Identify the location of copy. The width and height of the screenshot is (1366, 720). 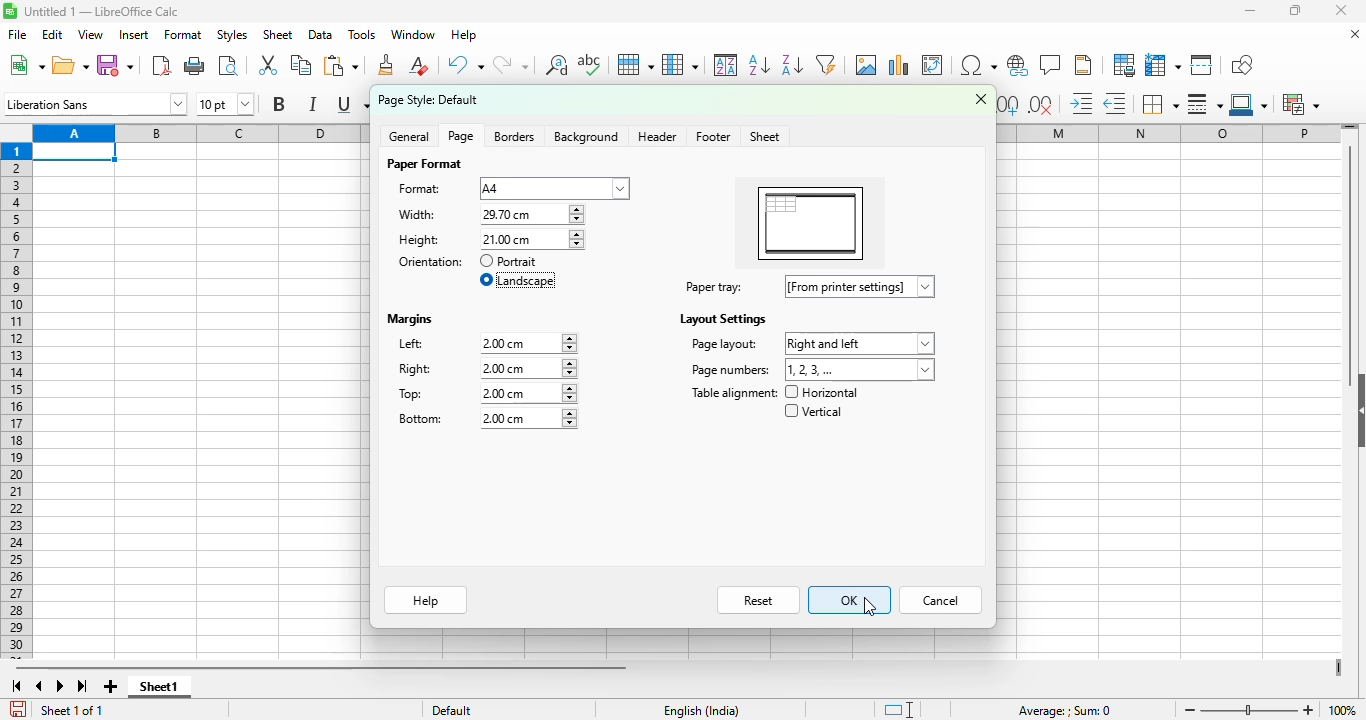
(301, 64).